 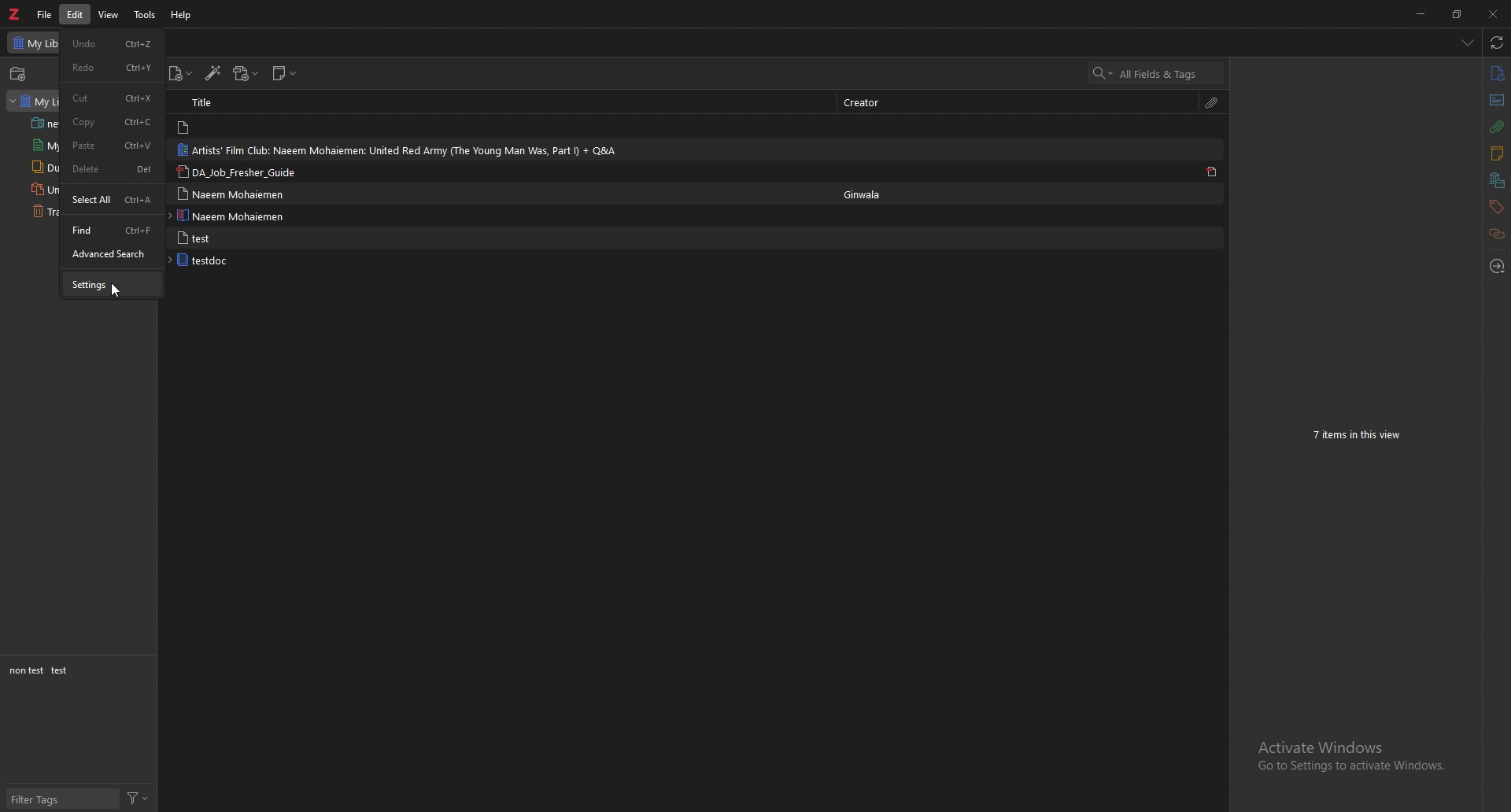 I want to click on sync with zotero.org, so click(x=1495, y=42).